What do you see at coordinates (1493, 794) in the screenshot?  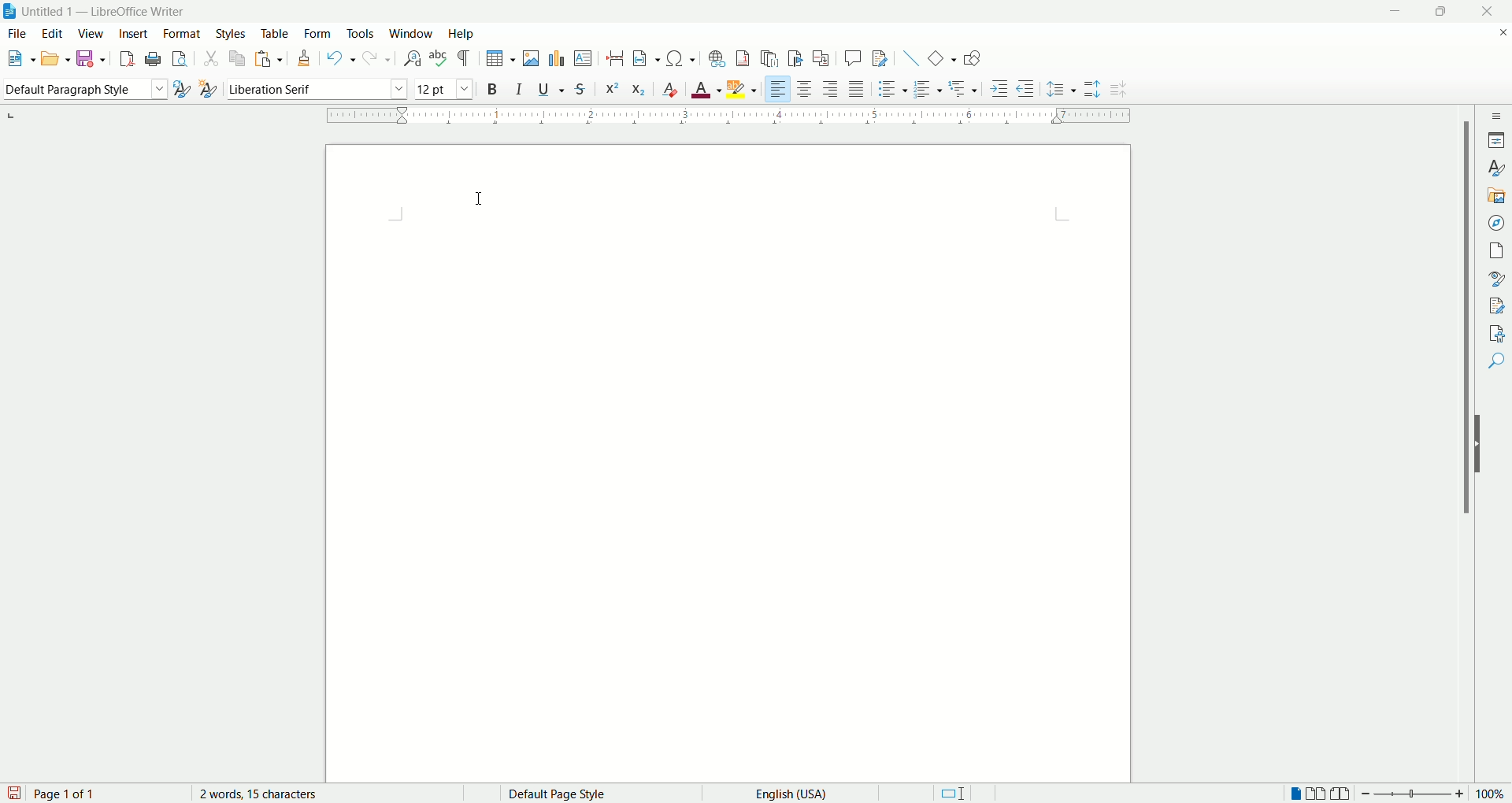 I see `zoom percent` at bounding box center [1493, 794].